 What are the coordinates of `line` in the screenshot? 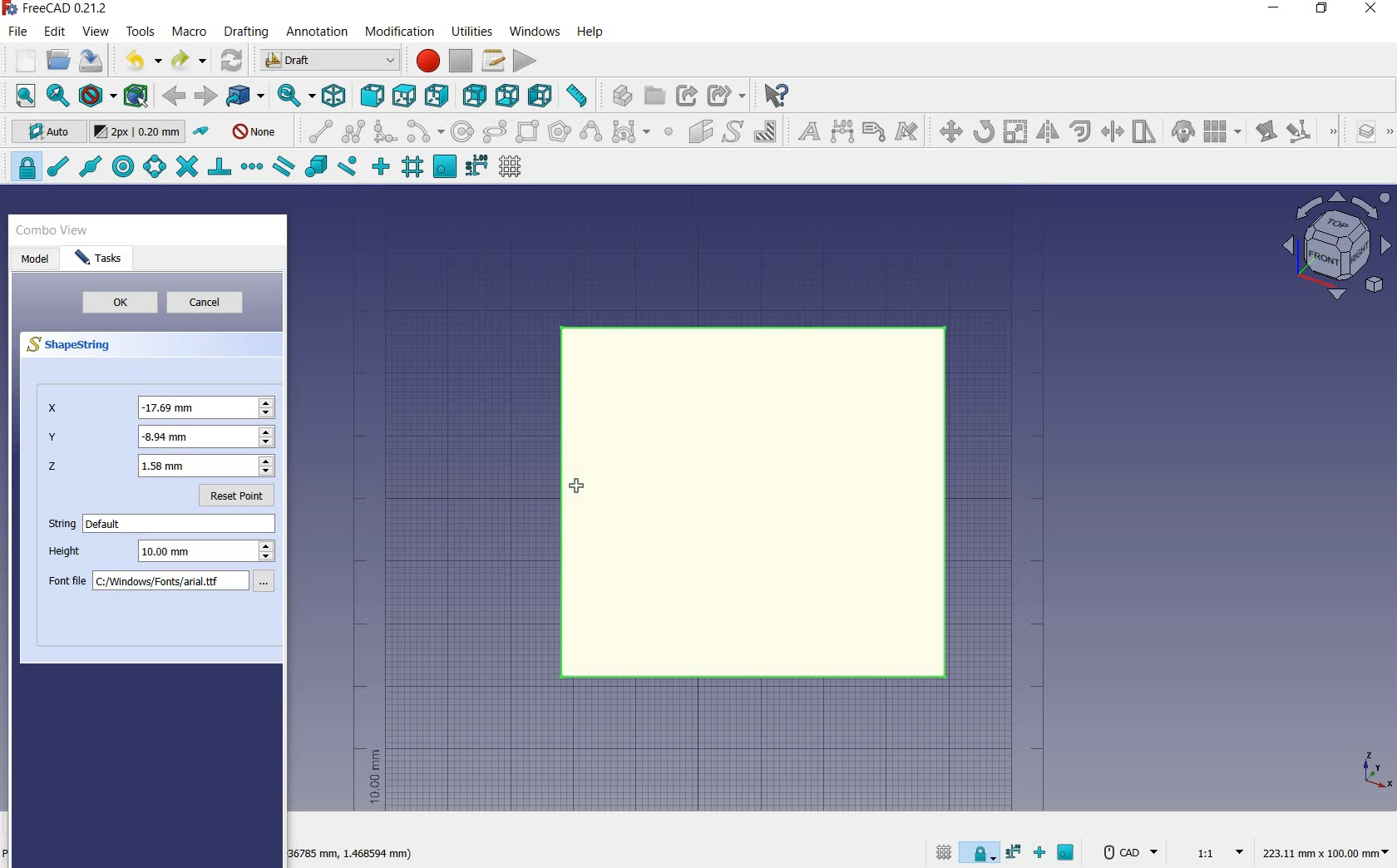 It's located at (316, 131).